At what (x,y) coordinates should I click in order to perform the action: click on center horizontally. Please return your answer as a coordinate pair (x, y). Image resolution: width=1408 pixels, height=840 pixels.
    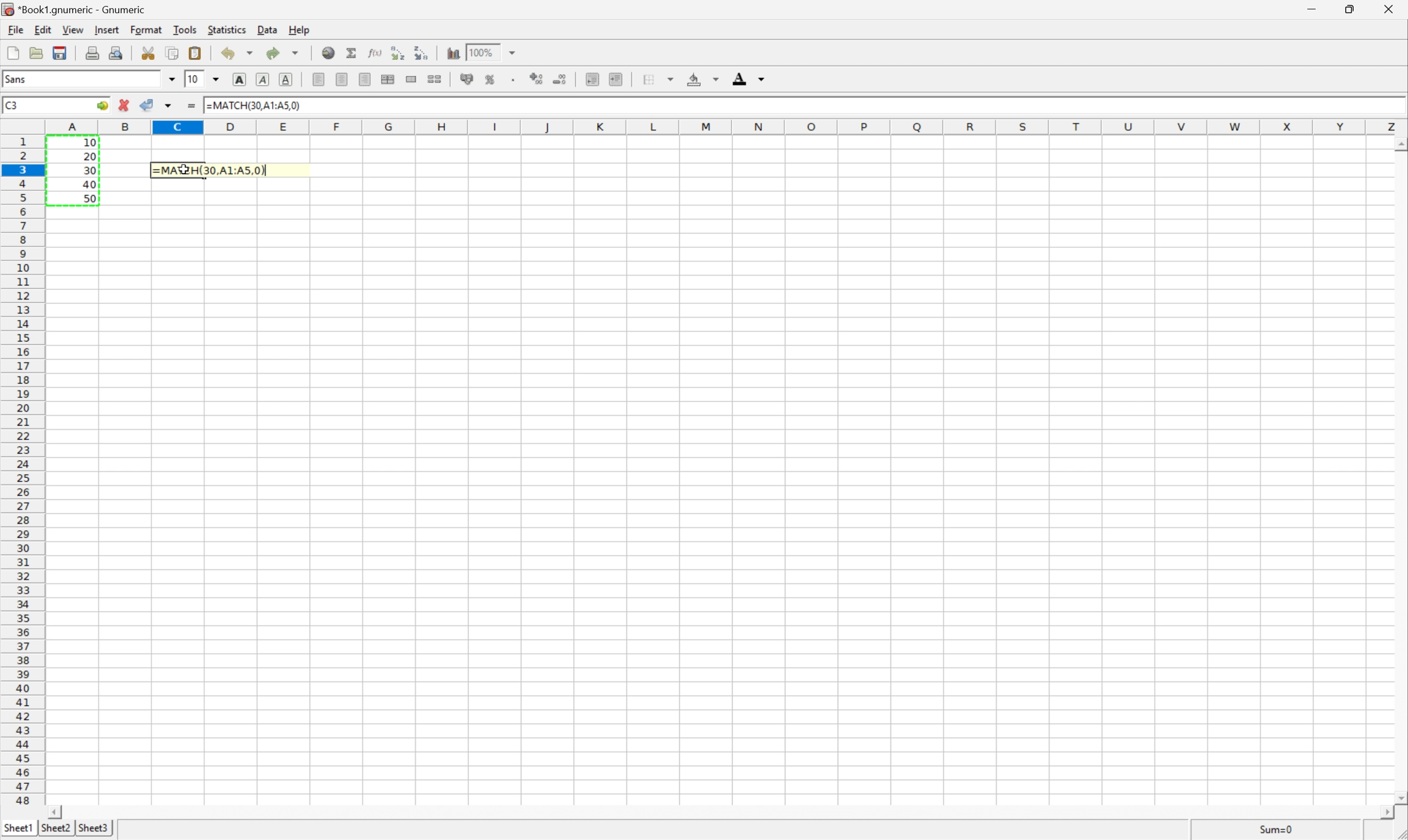
    Looking at the image, I should click on (341, 78).